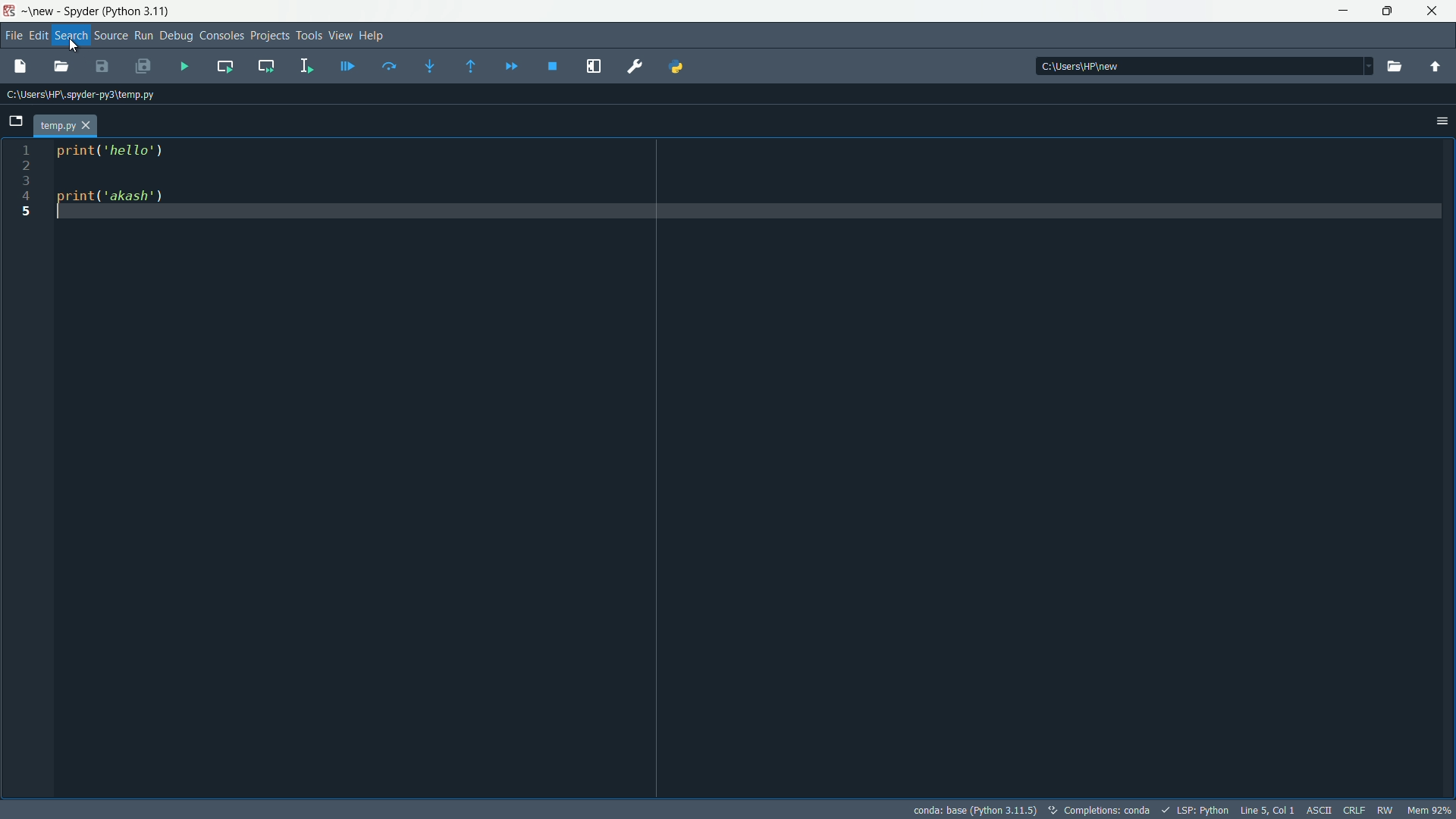  Describe the element at coordinates (27, 469) in the screenshot. I see `line numbers` at that location.